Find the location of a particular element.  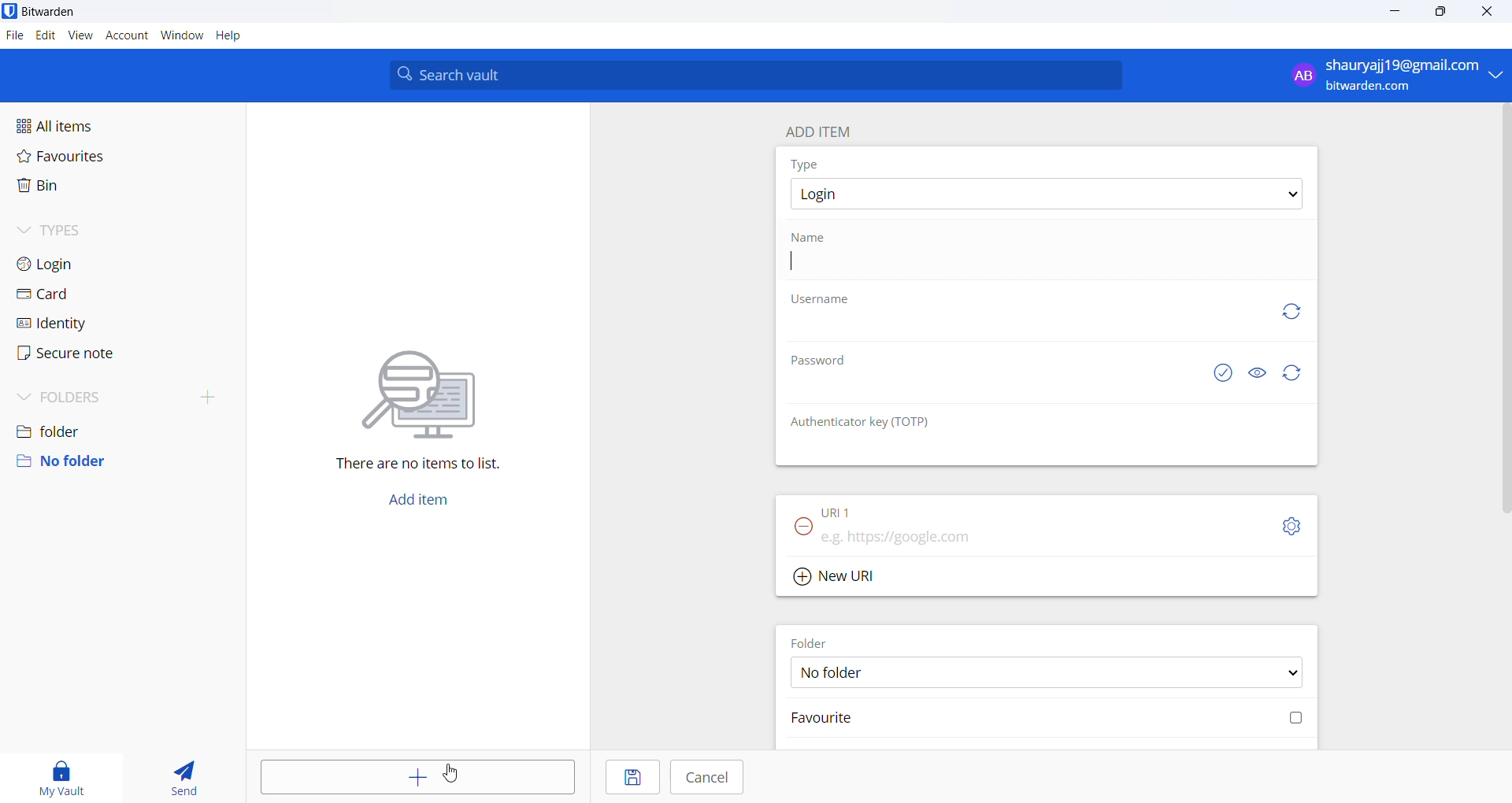

folders is located at coordinates (126, 394).